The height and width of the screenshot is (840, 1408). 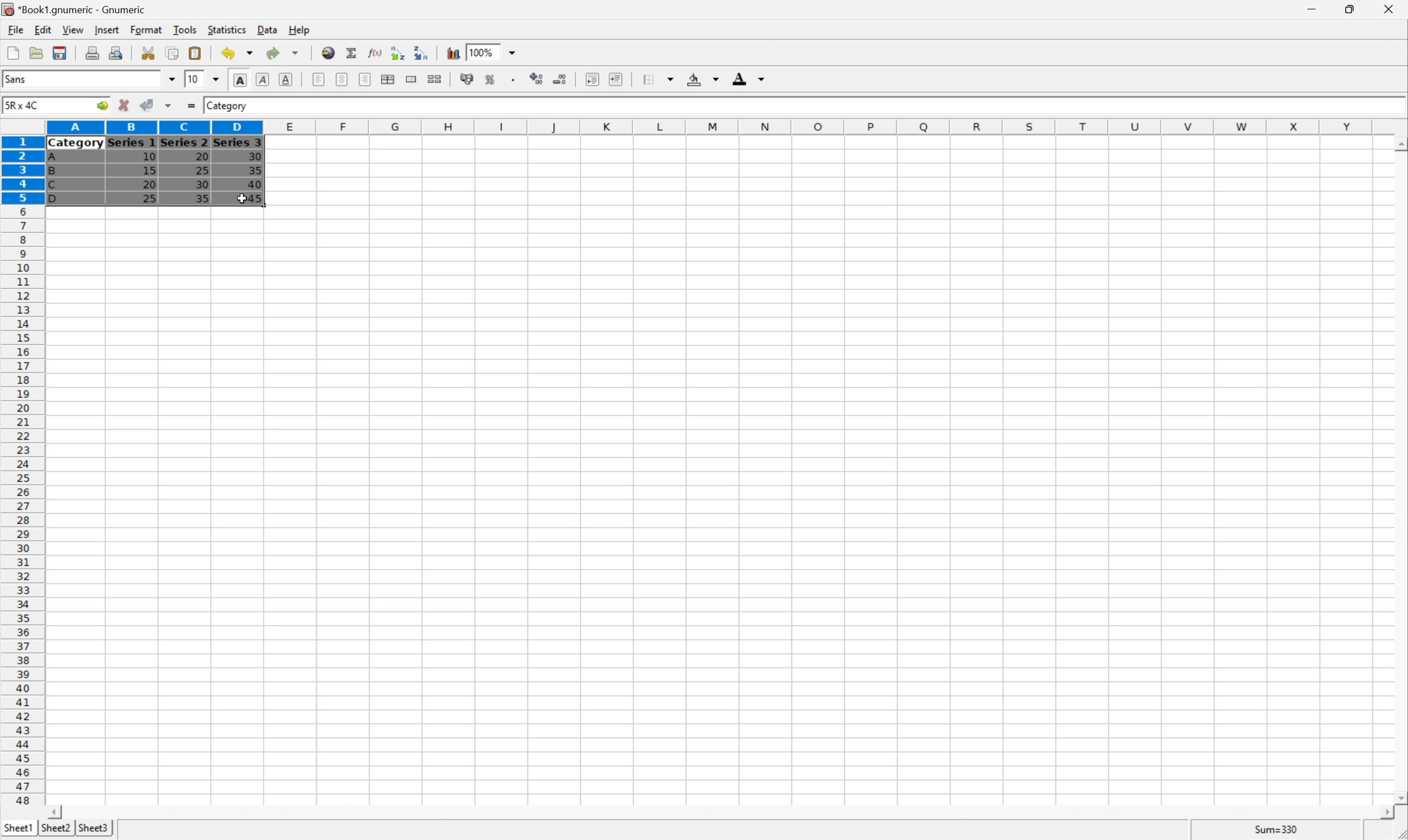 What do you see at coordinates (16, 29) in the screenshot?
I see `File` at bounding box center [16, 29].